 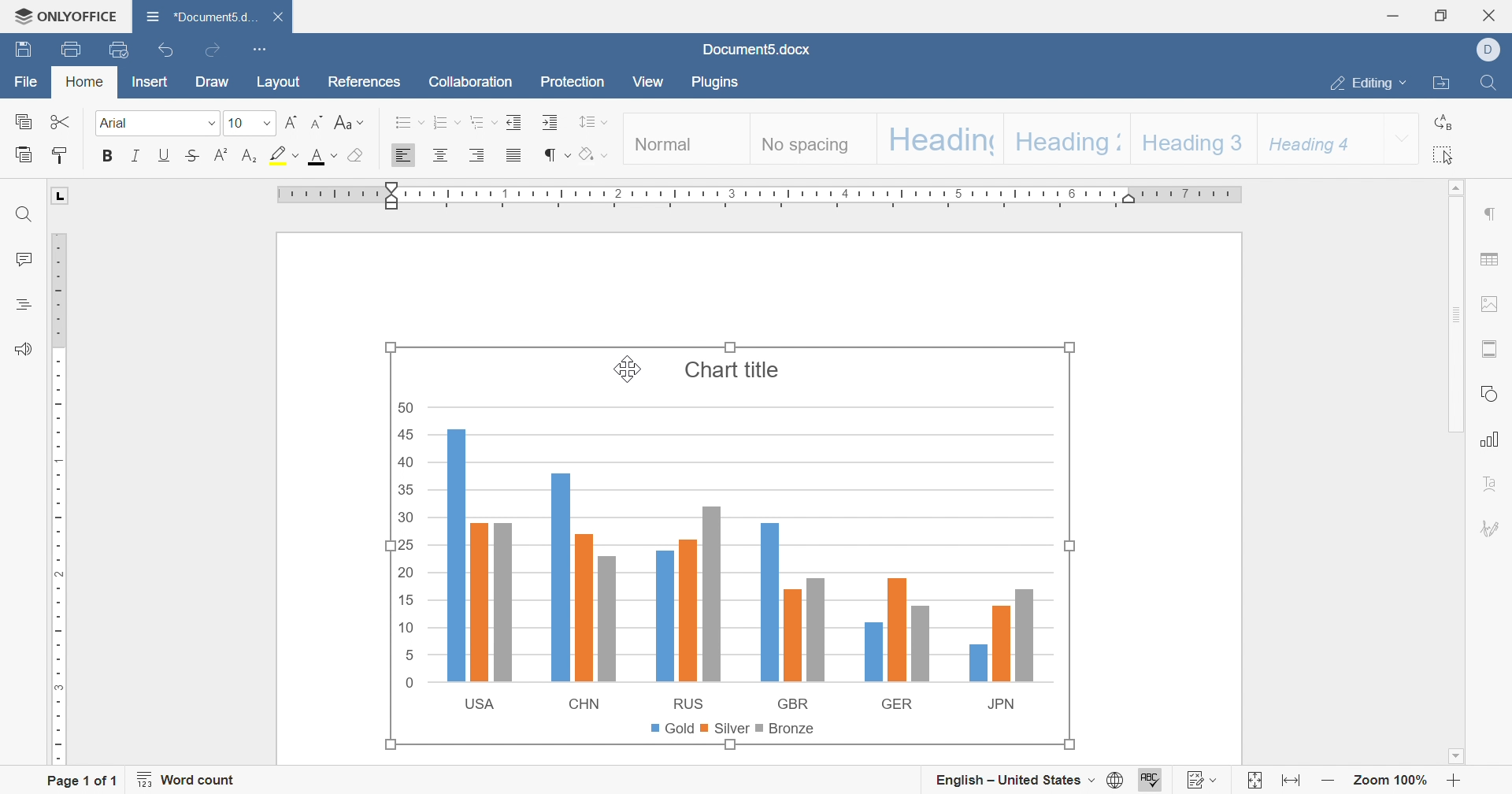 What do you see at coordinates (1489, 259) in the screenshot?
I see `table settings` at bounding box center [1489, 259].